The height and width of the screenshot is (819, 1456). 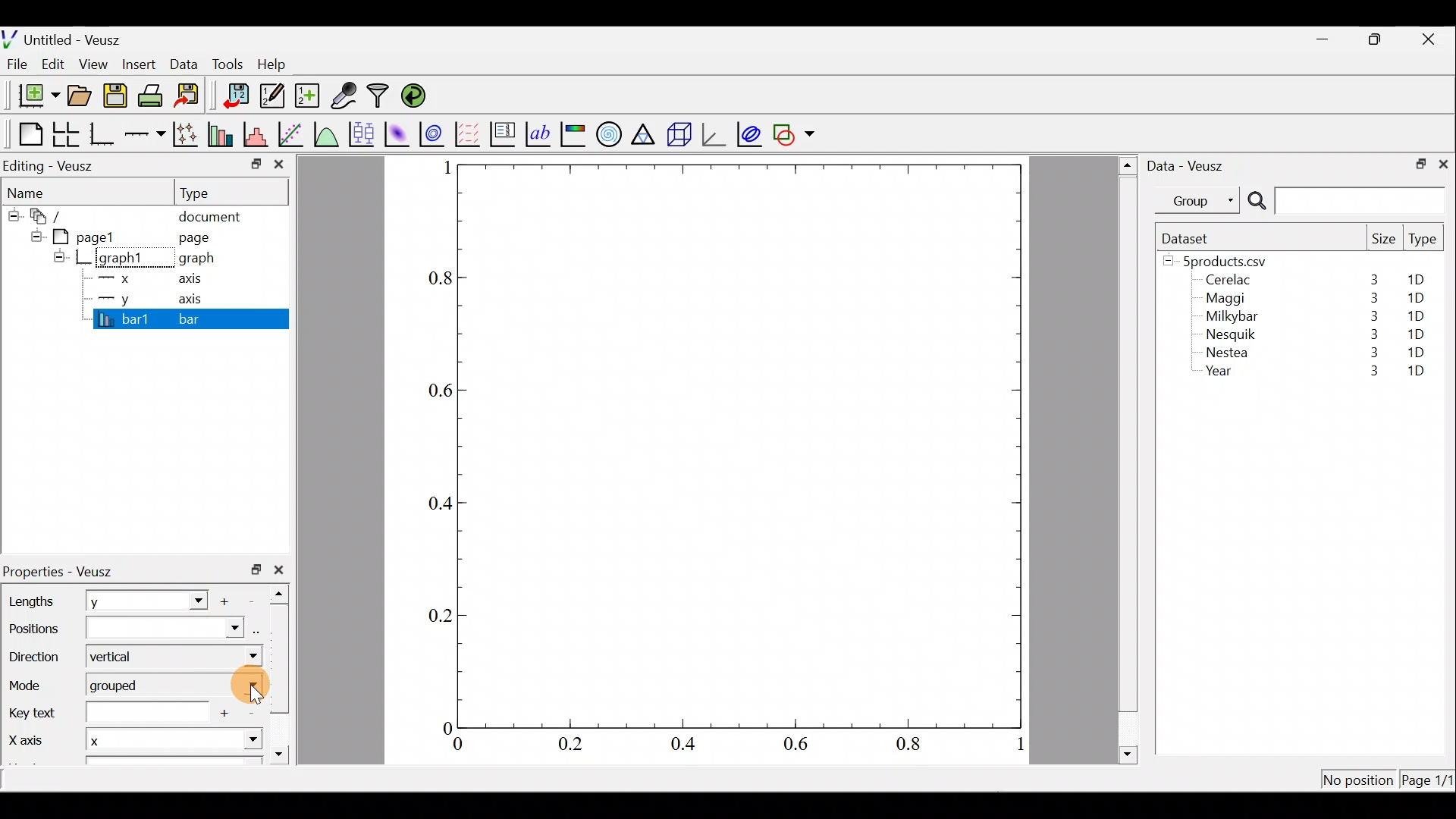 What do you see at coordinates (90, 235) in the screenshot?
I see `pagel` at bounding box center [90, 235].